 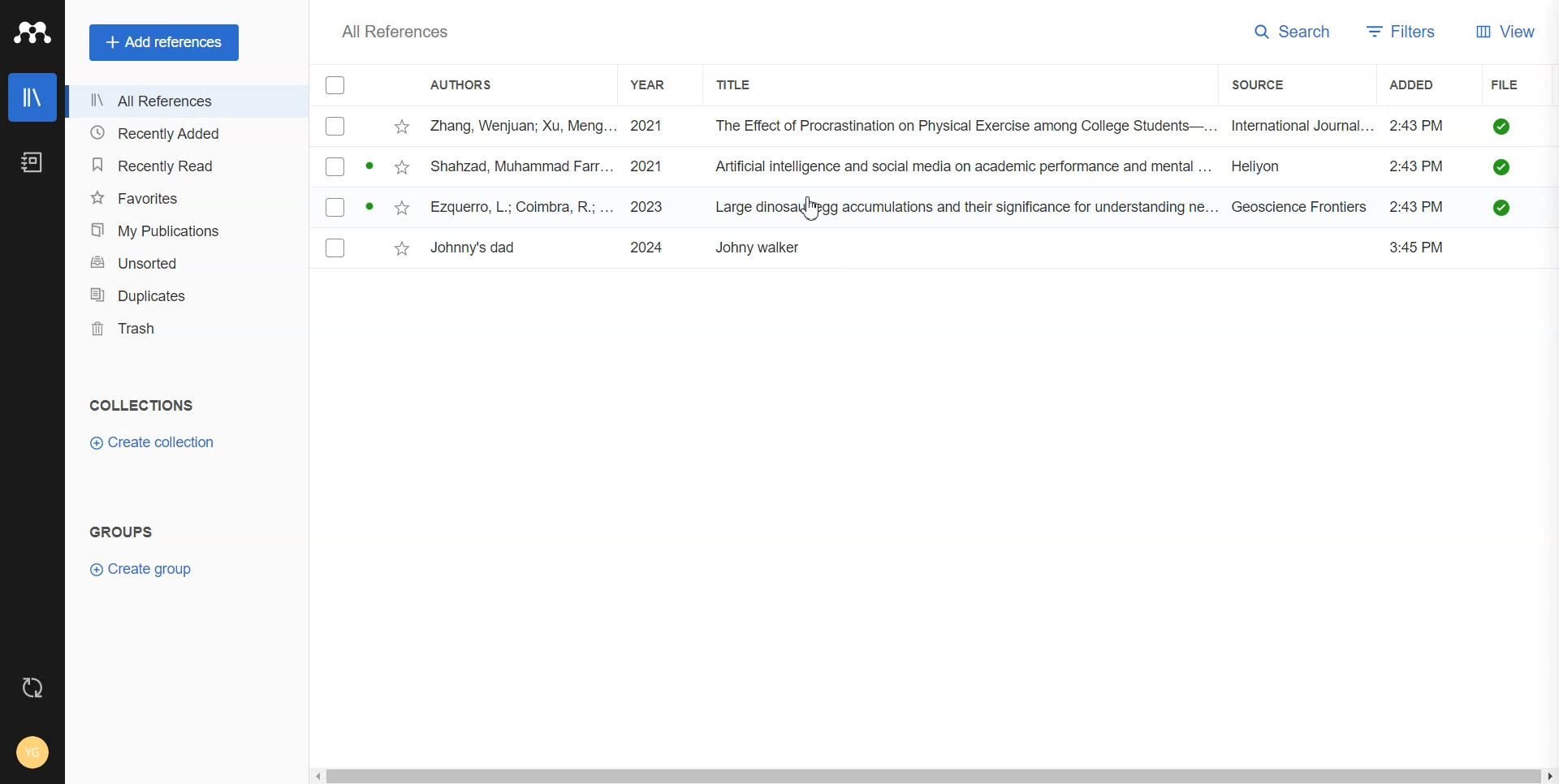 I want to click on Account, so click(x=32, y=753).